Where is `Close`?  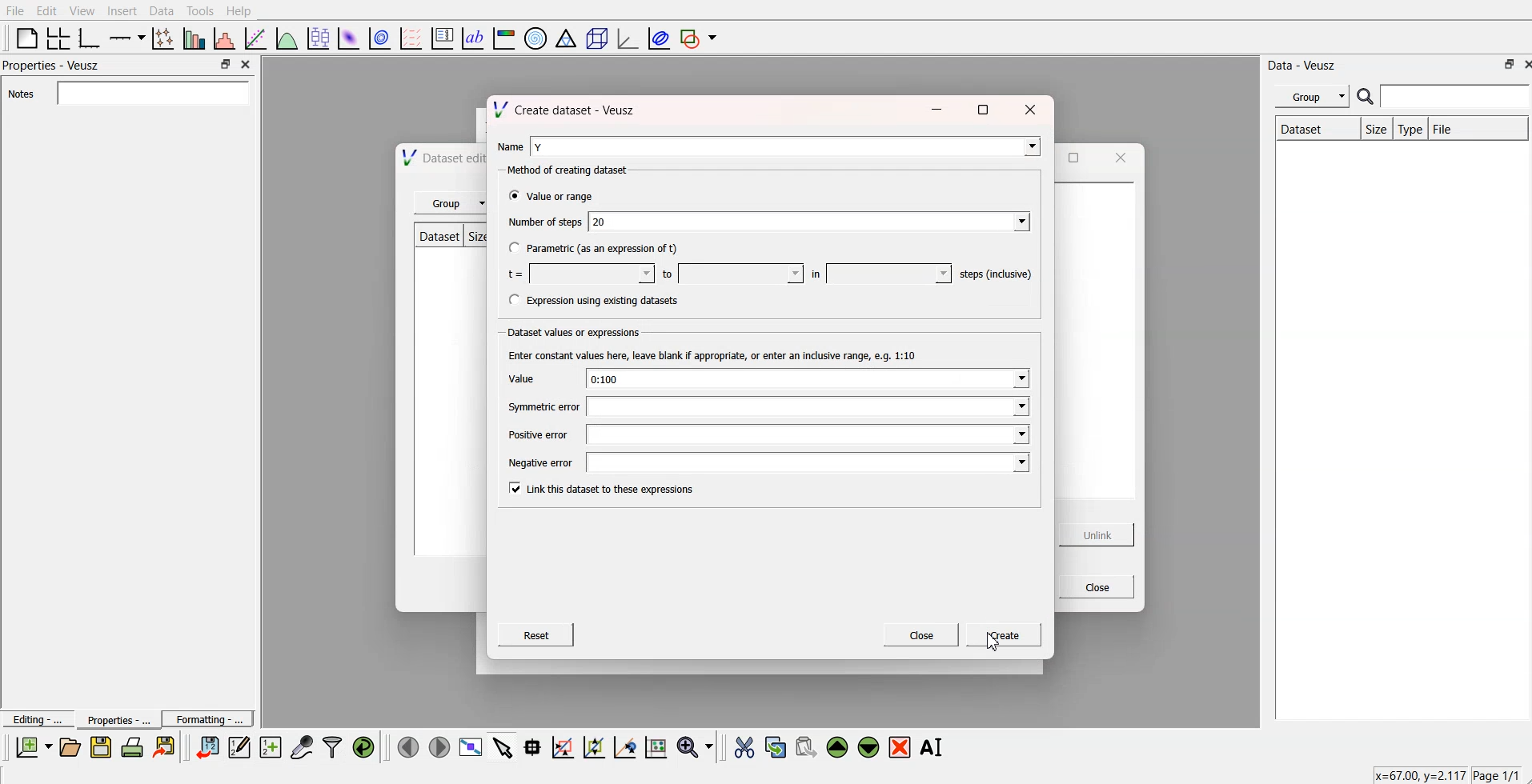 Close is located at coordinates (1522, 64).